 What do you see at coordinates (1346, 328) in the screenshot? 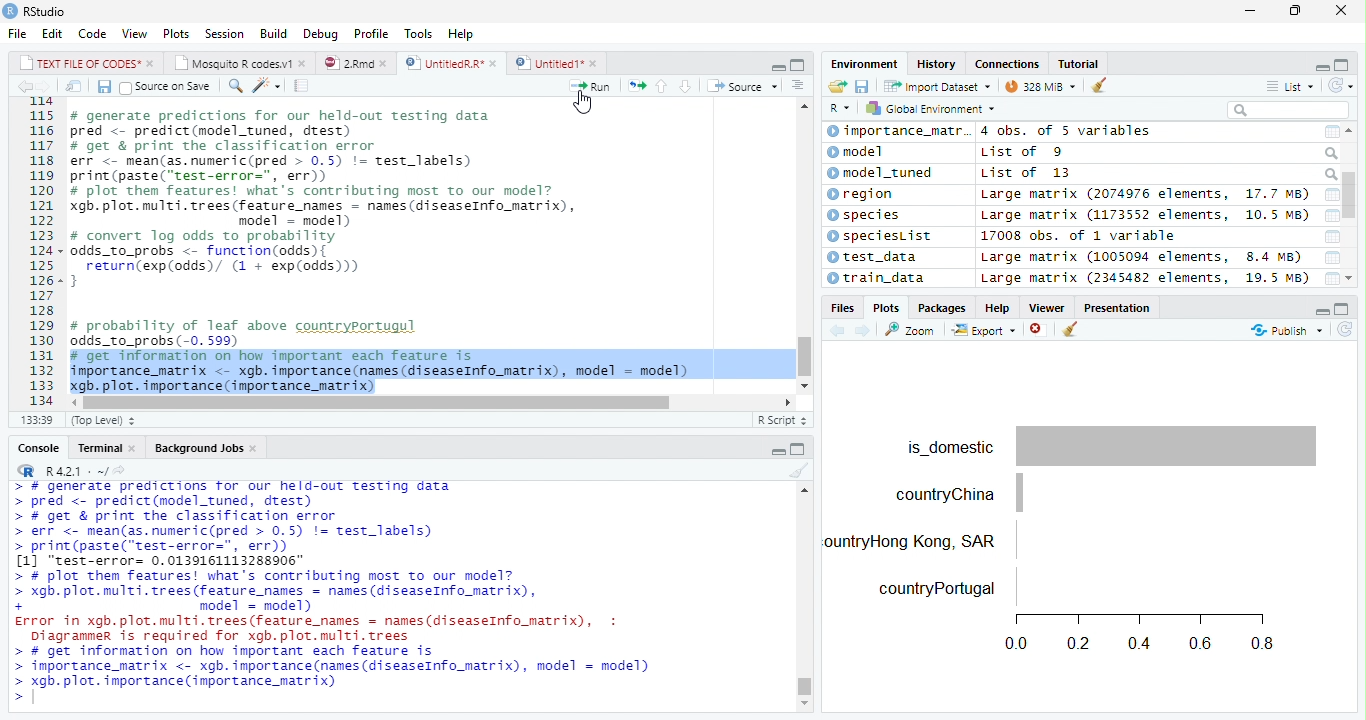
I see `Refresh` at bounding box center [1346, 328].